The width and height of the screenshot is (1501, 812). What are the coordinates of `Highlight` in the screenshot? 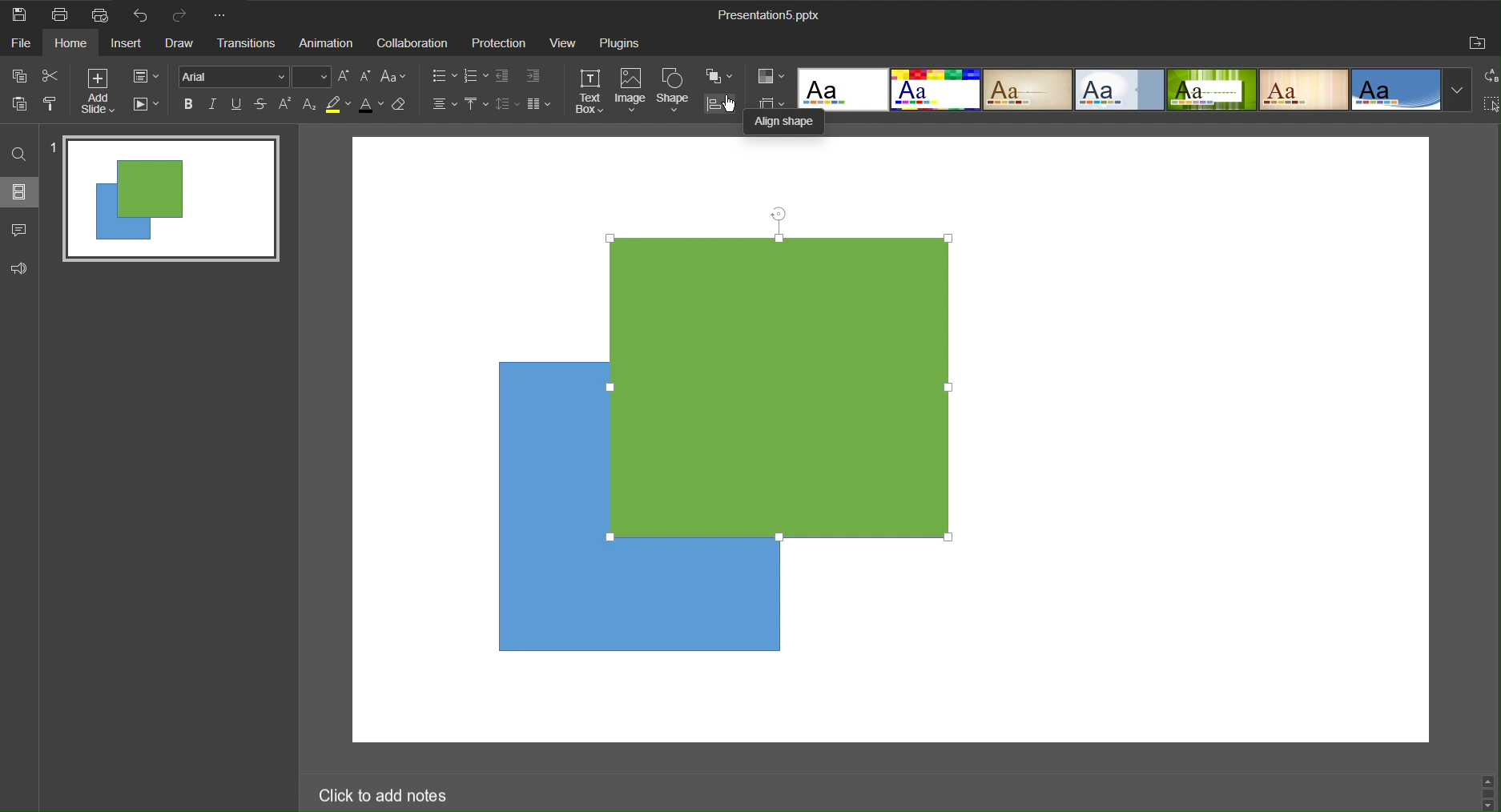 It's located at (340, 107).